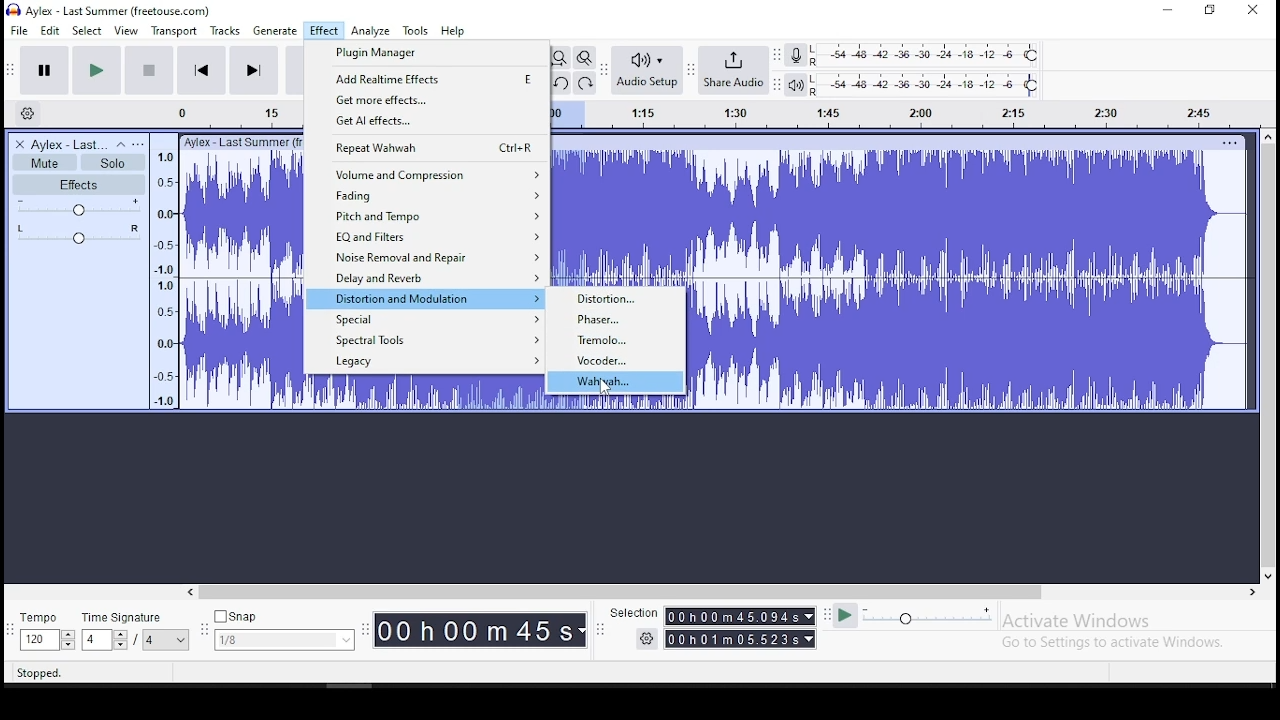  Describe the element at coordinates (254, 71) in the screenshot. I see `skip to end` at that location.